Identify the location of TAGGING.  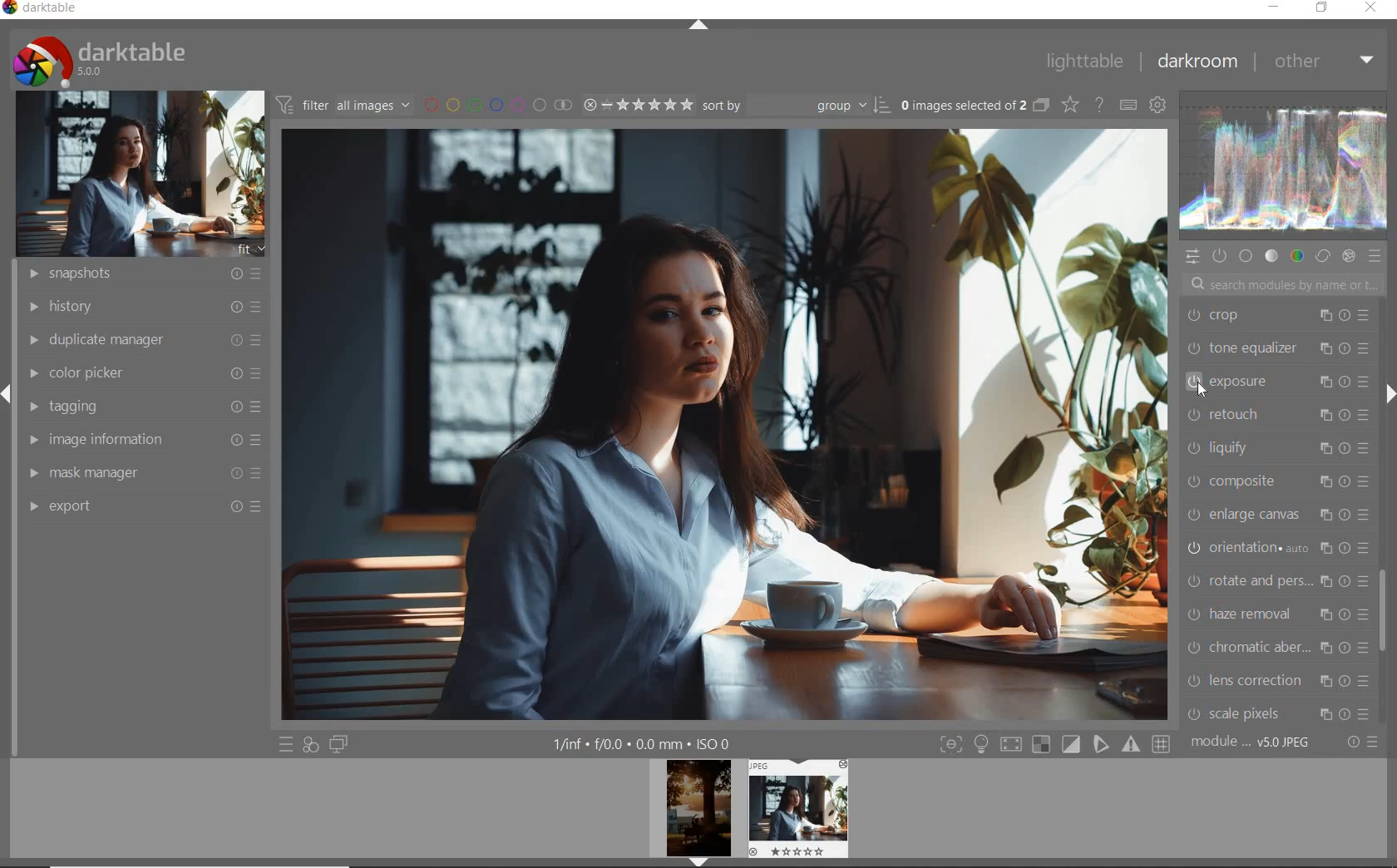
(141, 405).